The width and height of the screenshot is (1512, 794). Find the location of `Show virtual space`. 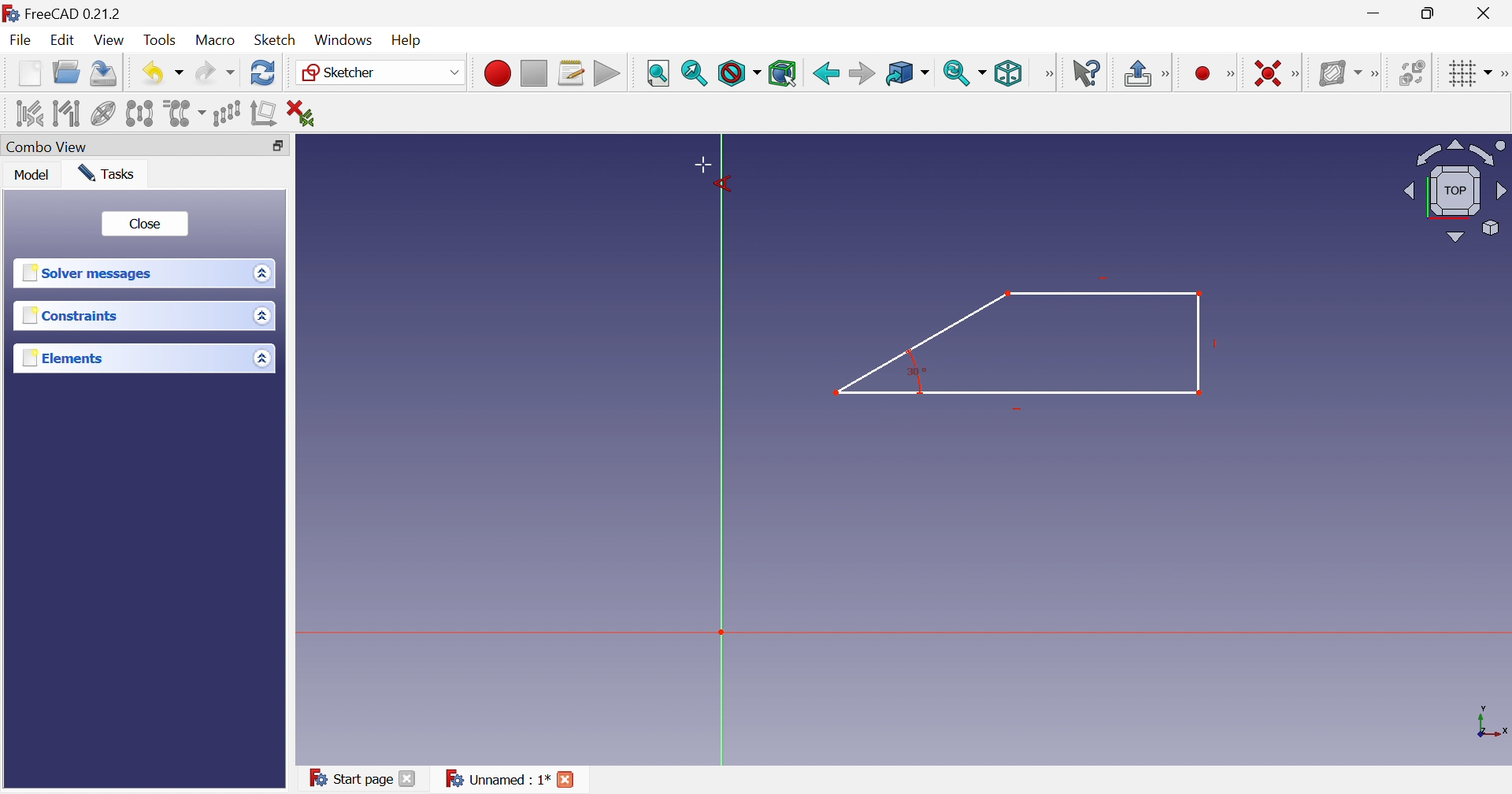

Show virtual space is located at coordinates (1411, 72).